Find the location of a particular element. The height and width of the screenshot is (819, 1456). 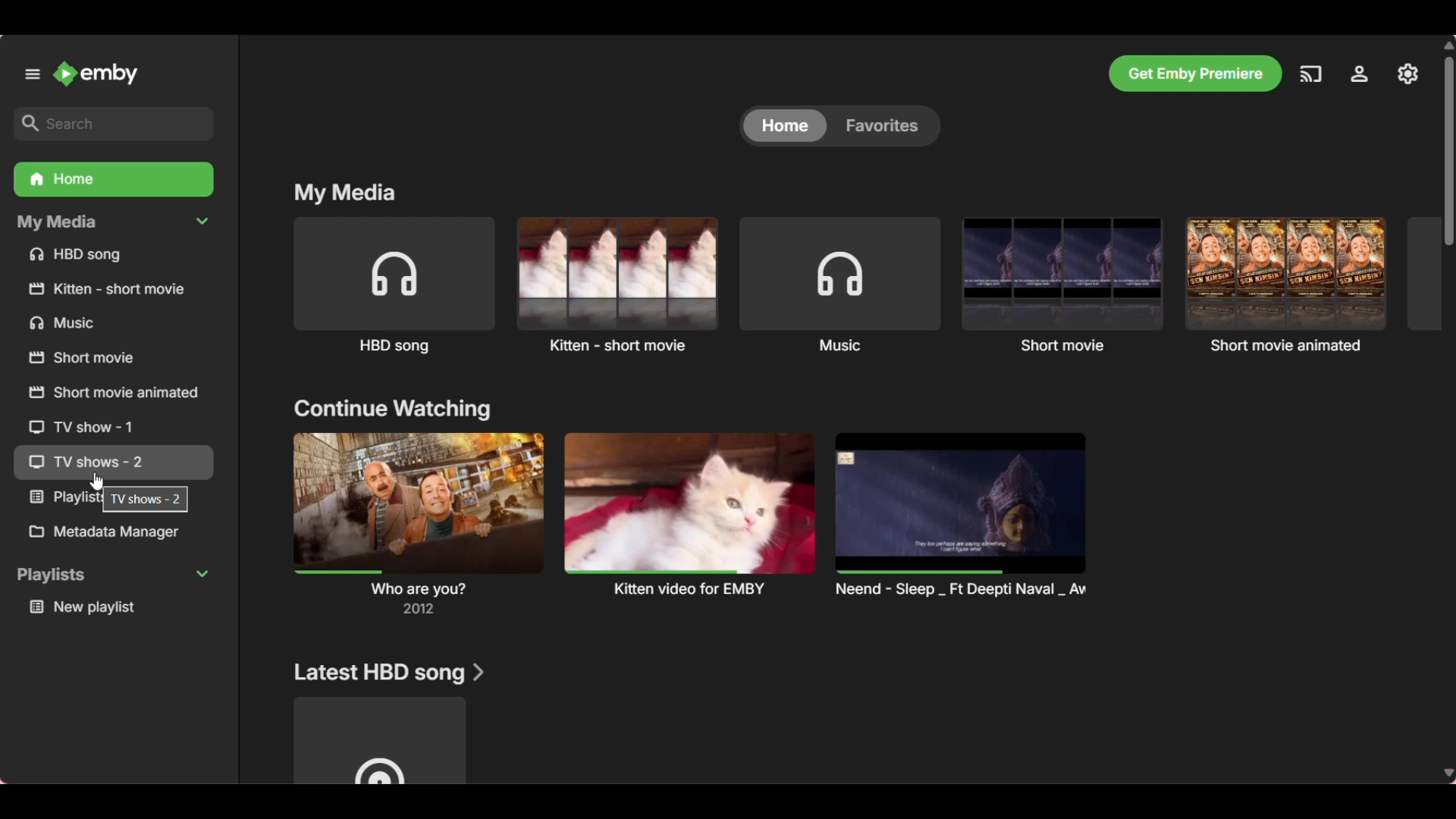

Music is located at coordinates (841, 284).